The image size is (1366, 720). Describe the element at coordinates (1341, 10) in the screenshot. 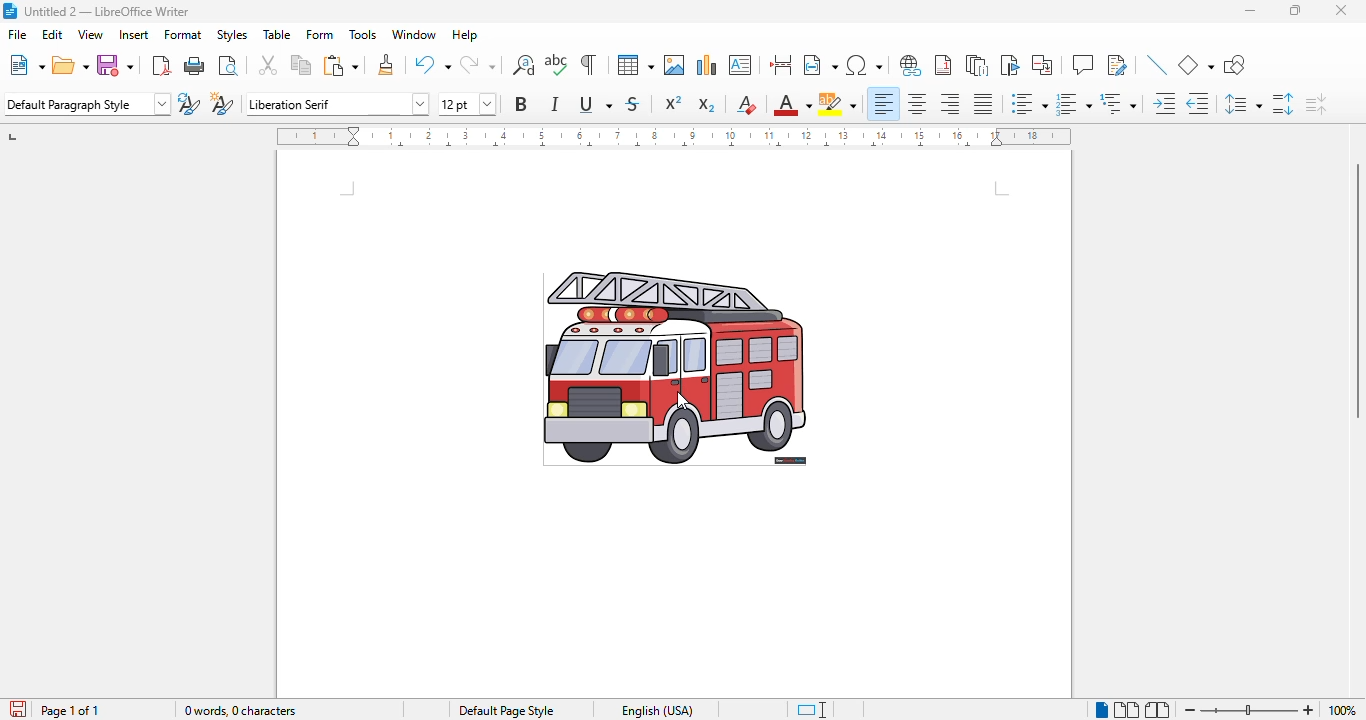

I see `close` at that location.